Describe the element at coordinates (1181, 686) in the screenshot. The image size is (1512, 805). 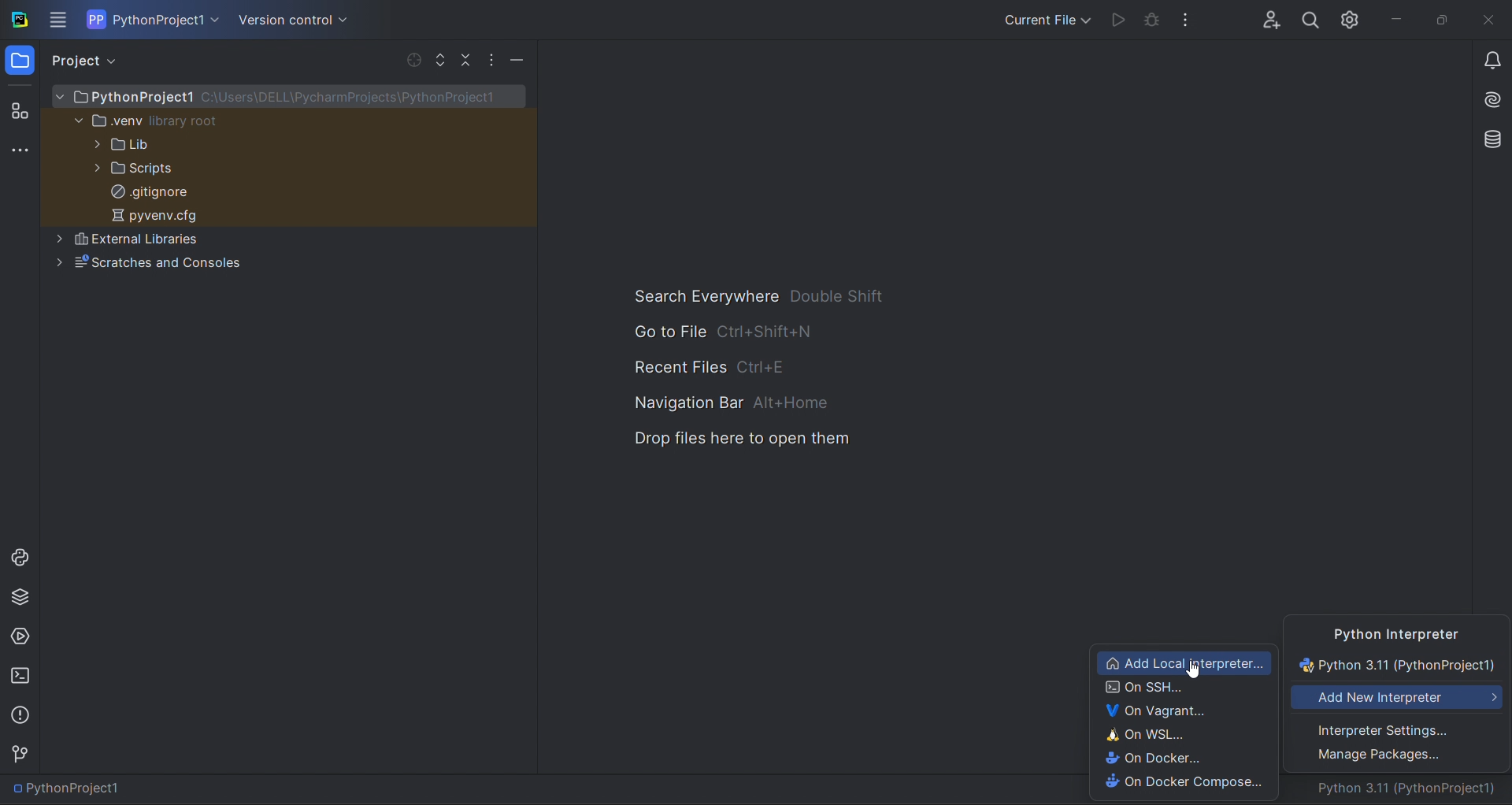
I see `ssh` at that location.